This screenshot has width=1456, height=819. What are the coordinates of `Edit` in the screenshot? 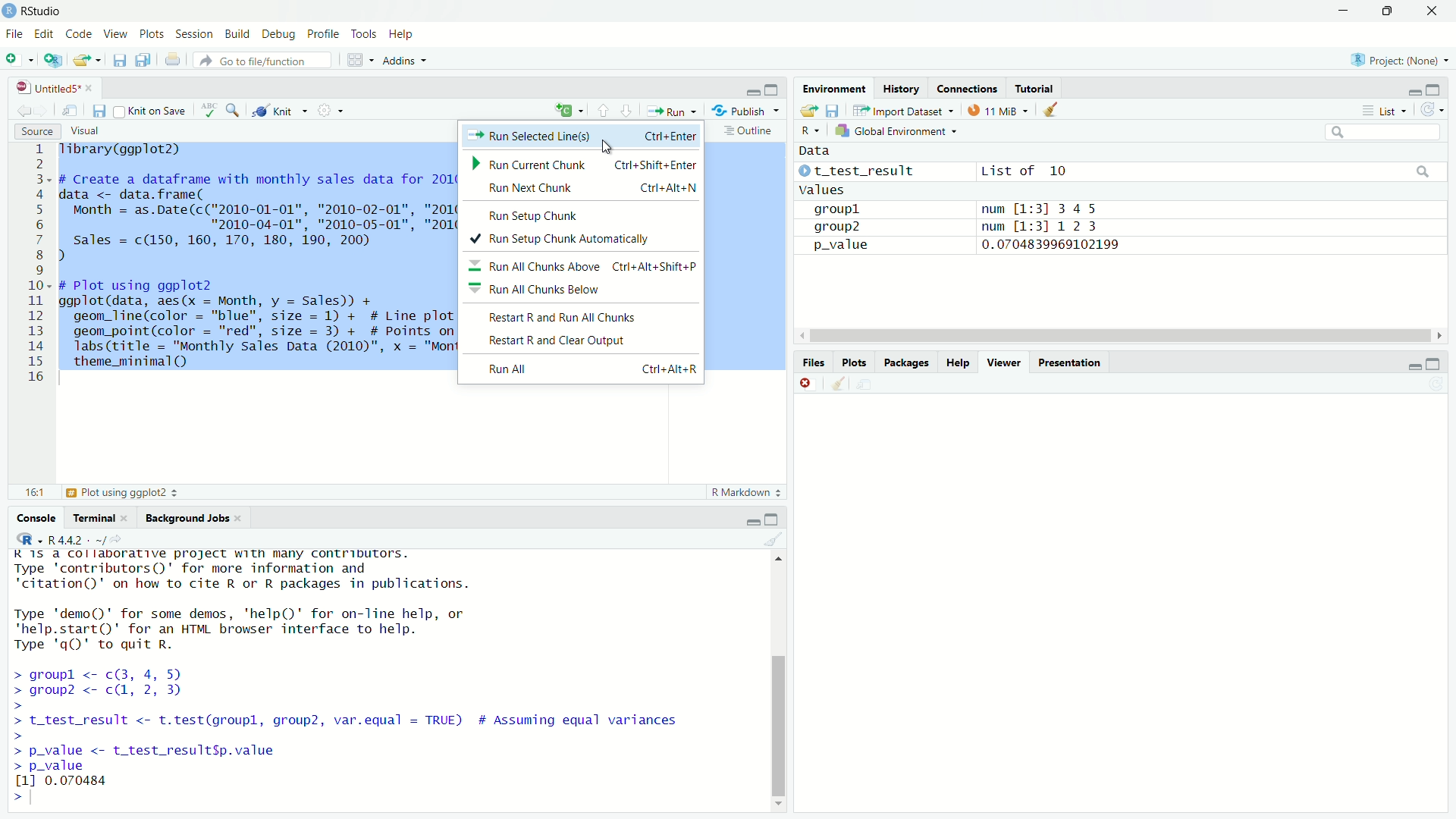 It's located at (42, 32).